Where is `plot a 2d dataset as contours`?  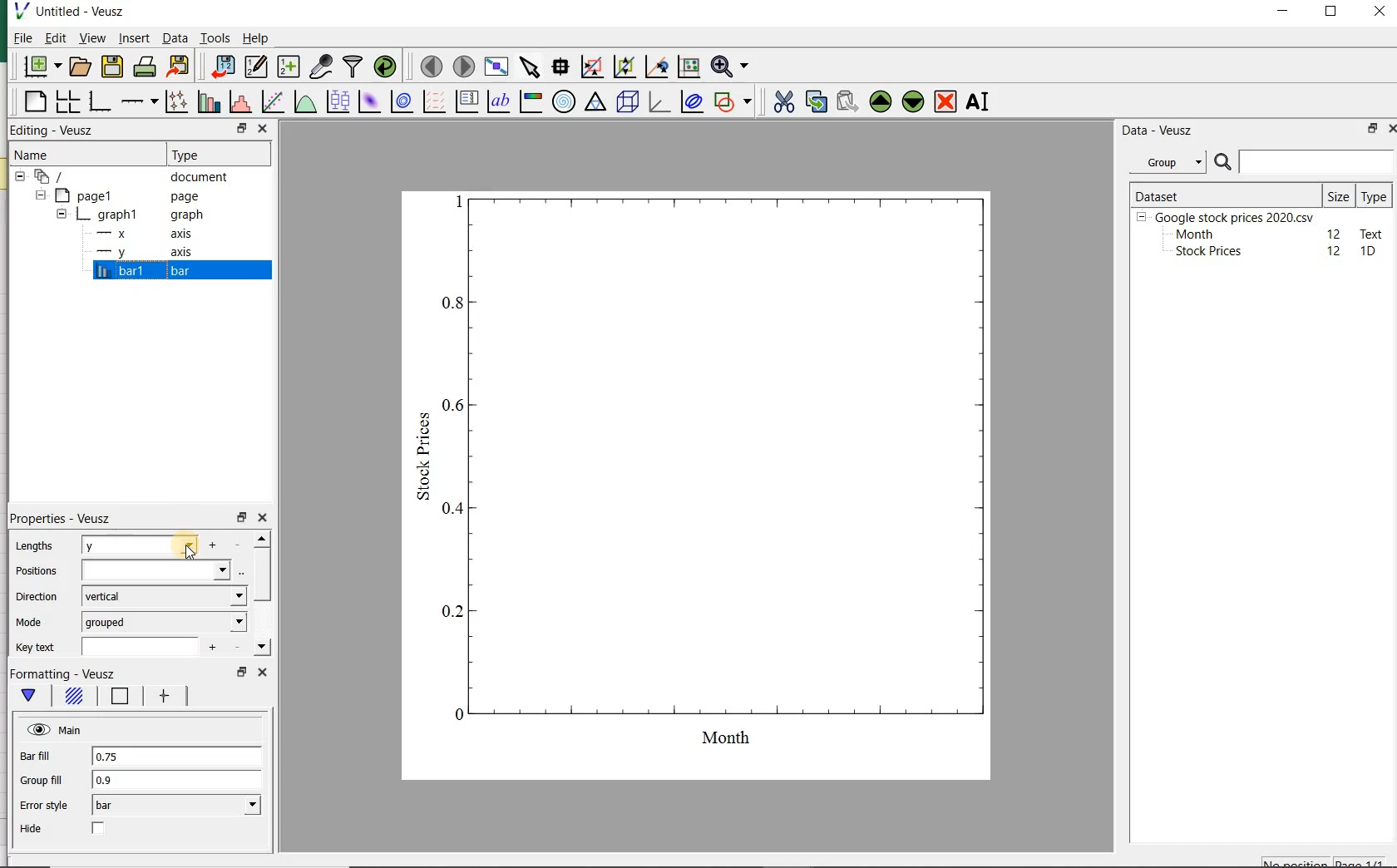 plot a 2d dataset as contours is located at coordinates (399, 103).